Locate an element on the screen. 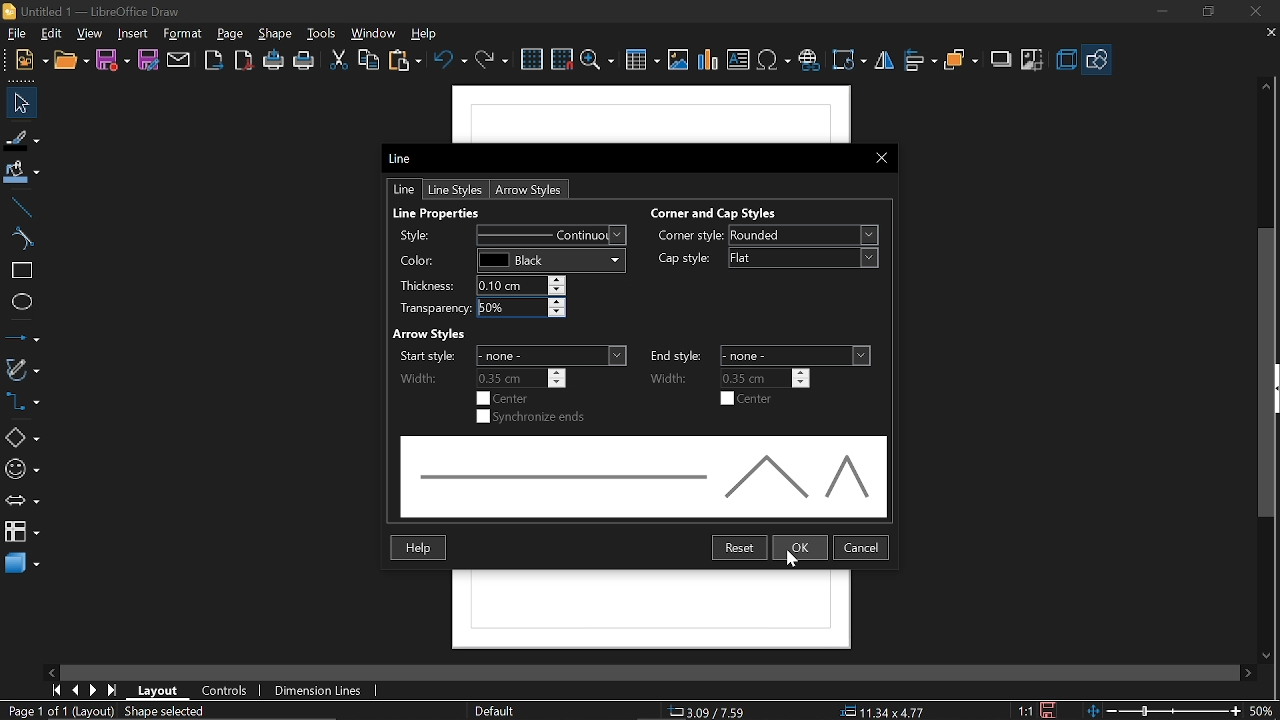 This screenshot has width=1280, height=720. center is located at coordinates (510, 398).